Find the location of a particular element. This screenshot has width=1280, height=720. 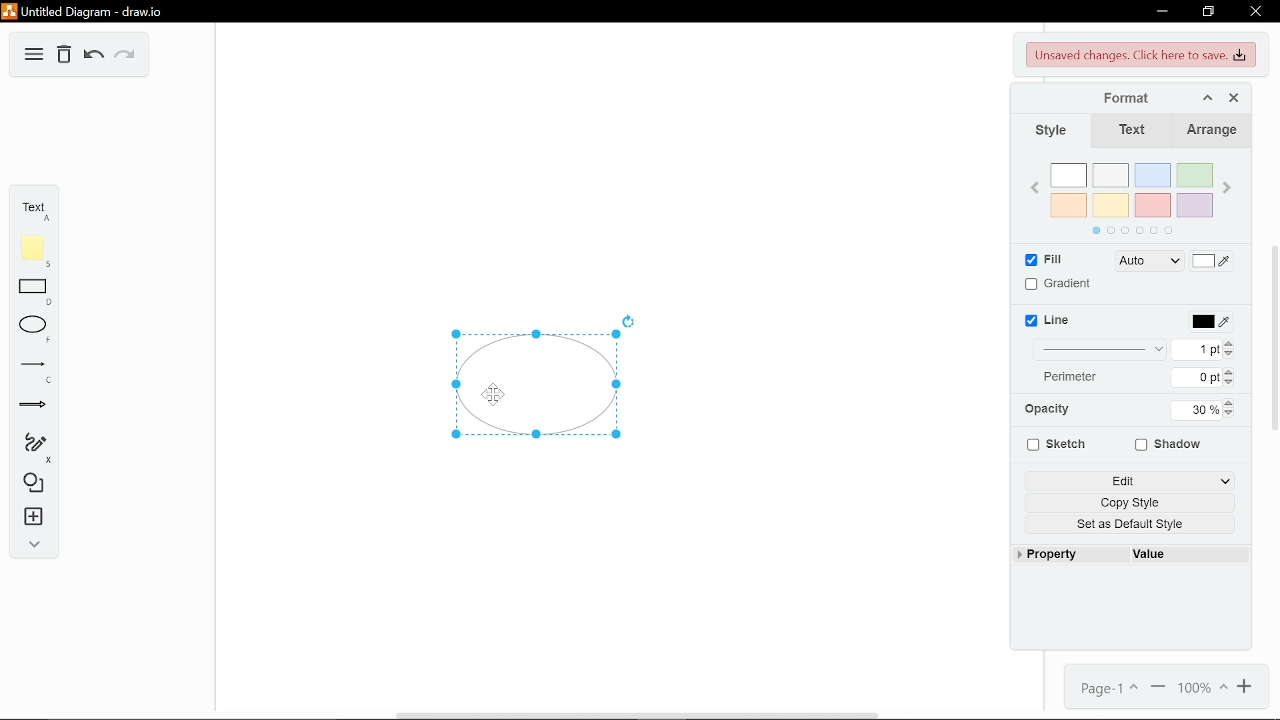

Arrow is located at coordinates (33, 402).